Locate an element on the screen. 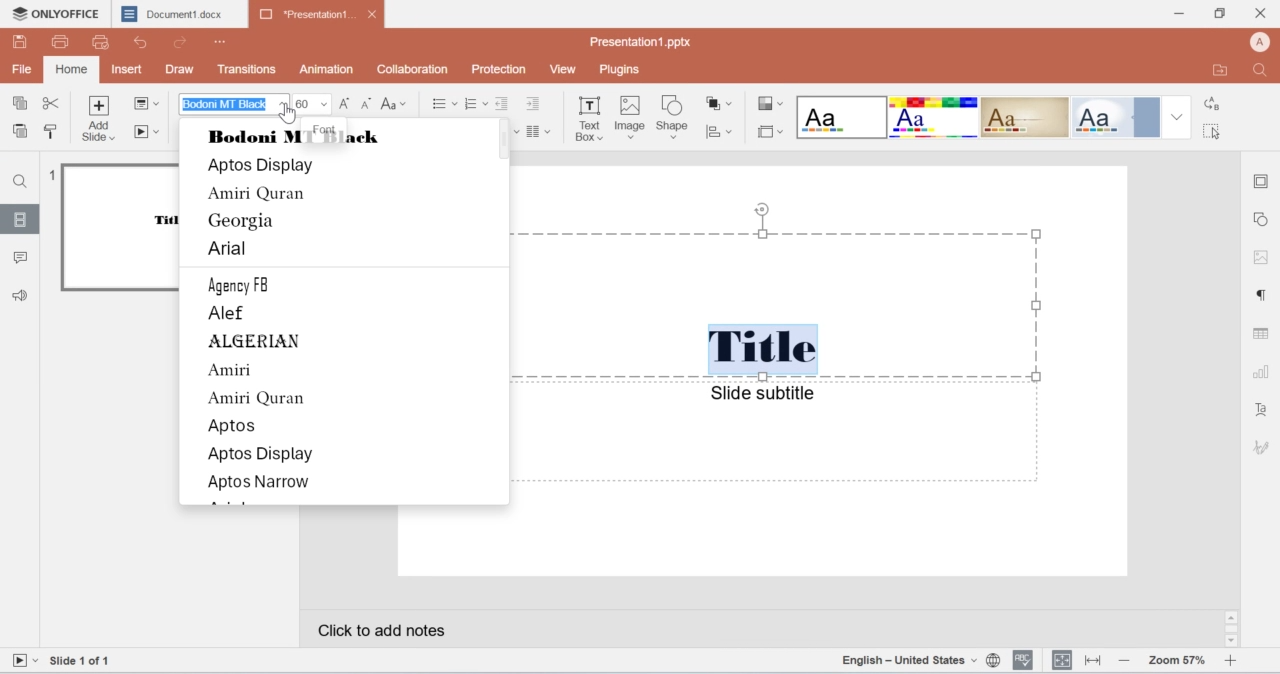  zoom  is located at coordinates (1176, 661).